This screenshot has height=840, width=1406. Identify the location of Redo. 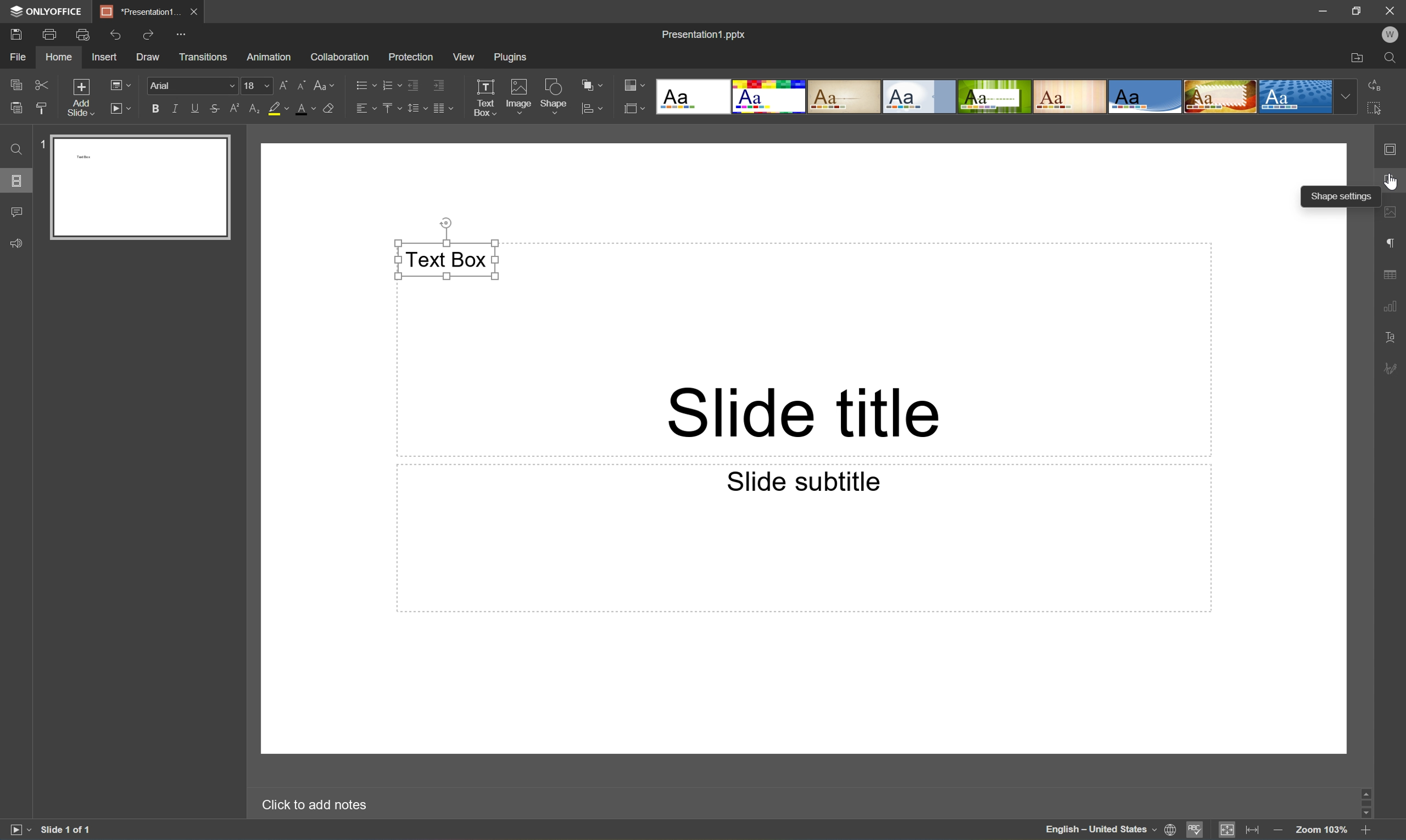
(148, 33).